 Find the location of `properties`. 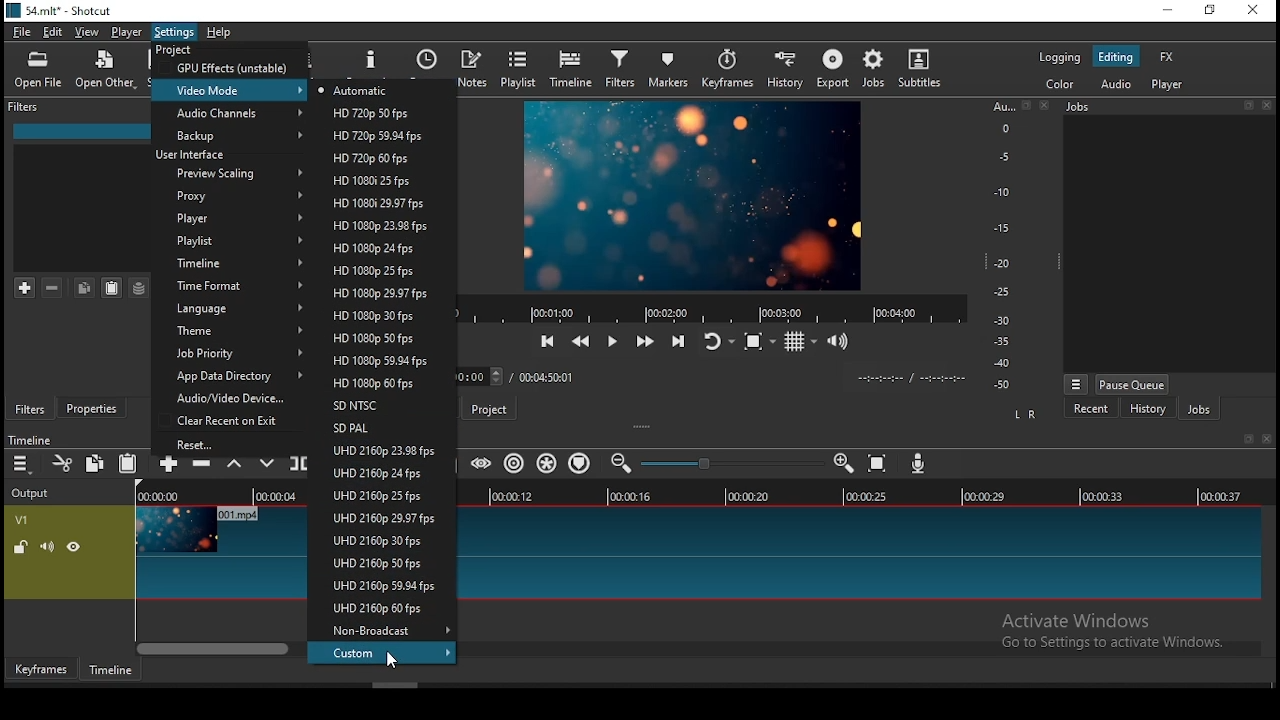

properties is located at coordinates (96, 409).